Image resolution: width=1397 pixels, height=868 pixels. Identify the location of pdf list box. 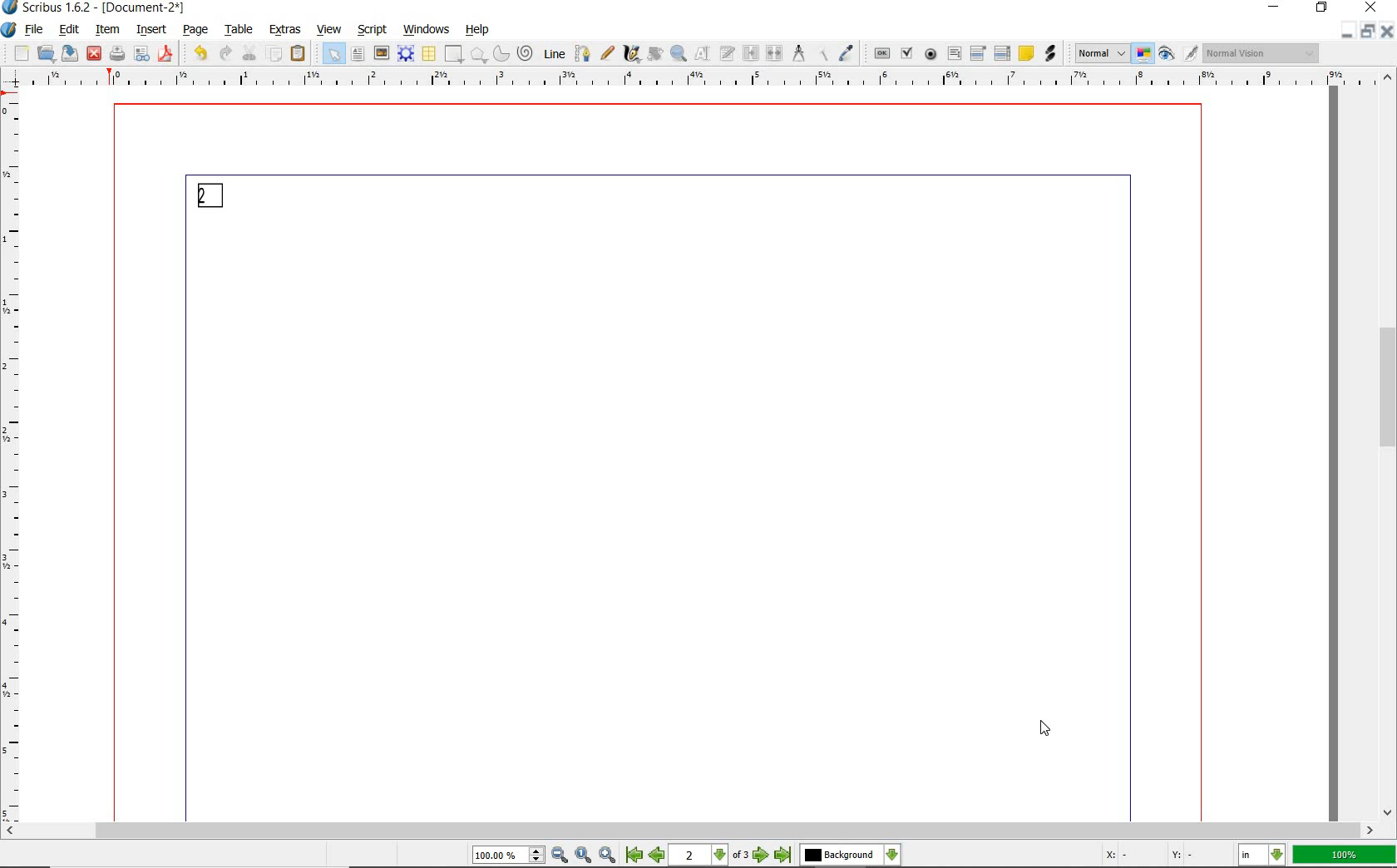
(1003, 54).